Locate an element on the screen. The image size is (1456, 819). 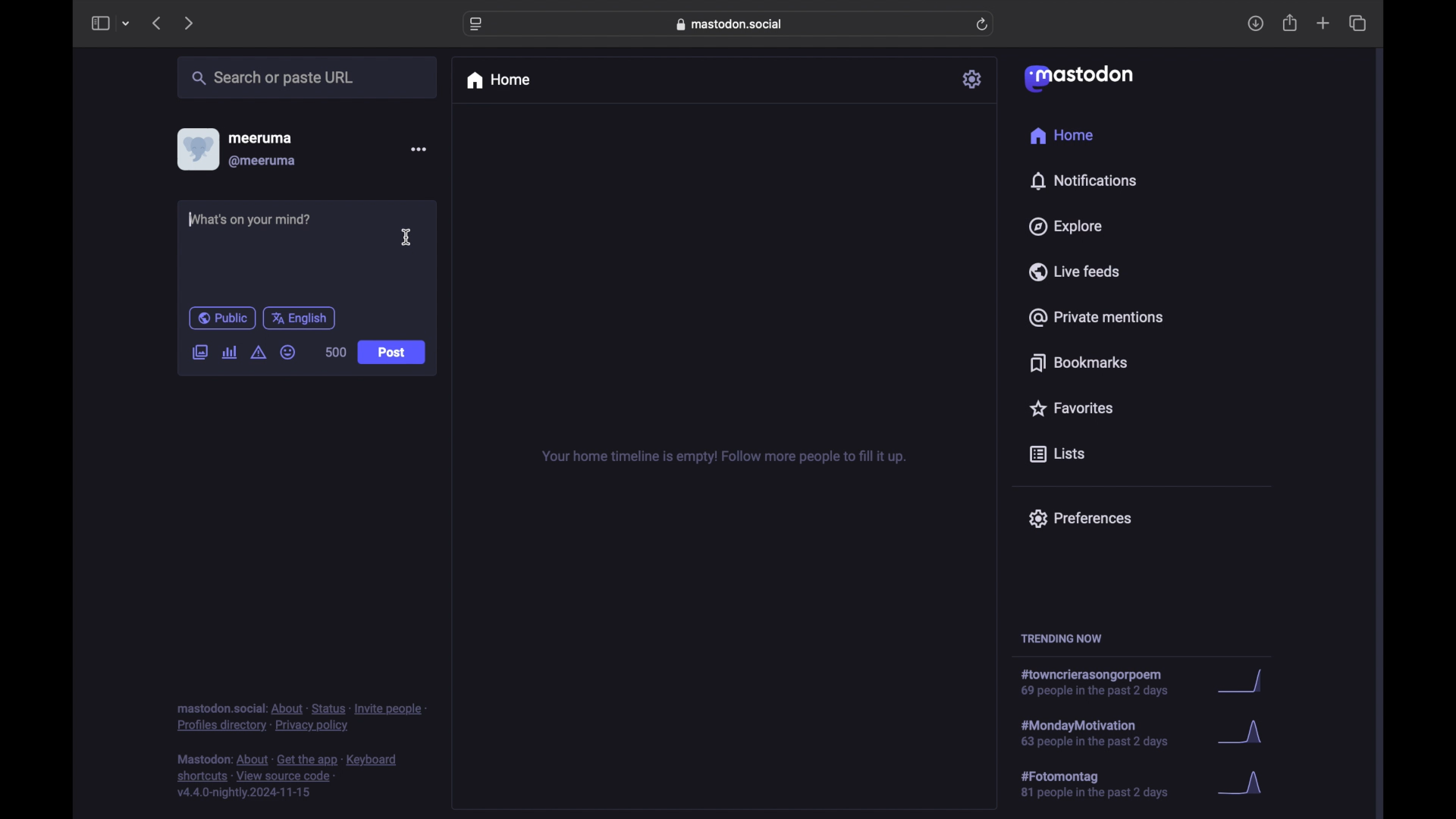
post is located at coordinates (395, 353).